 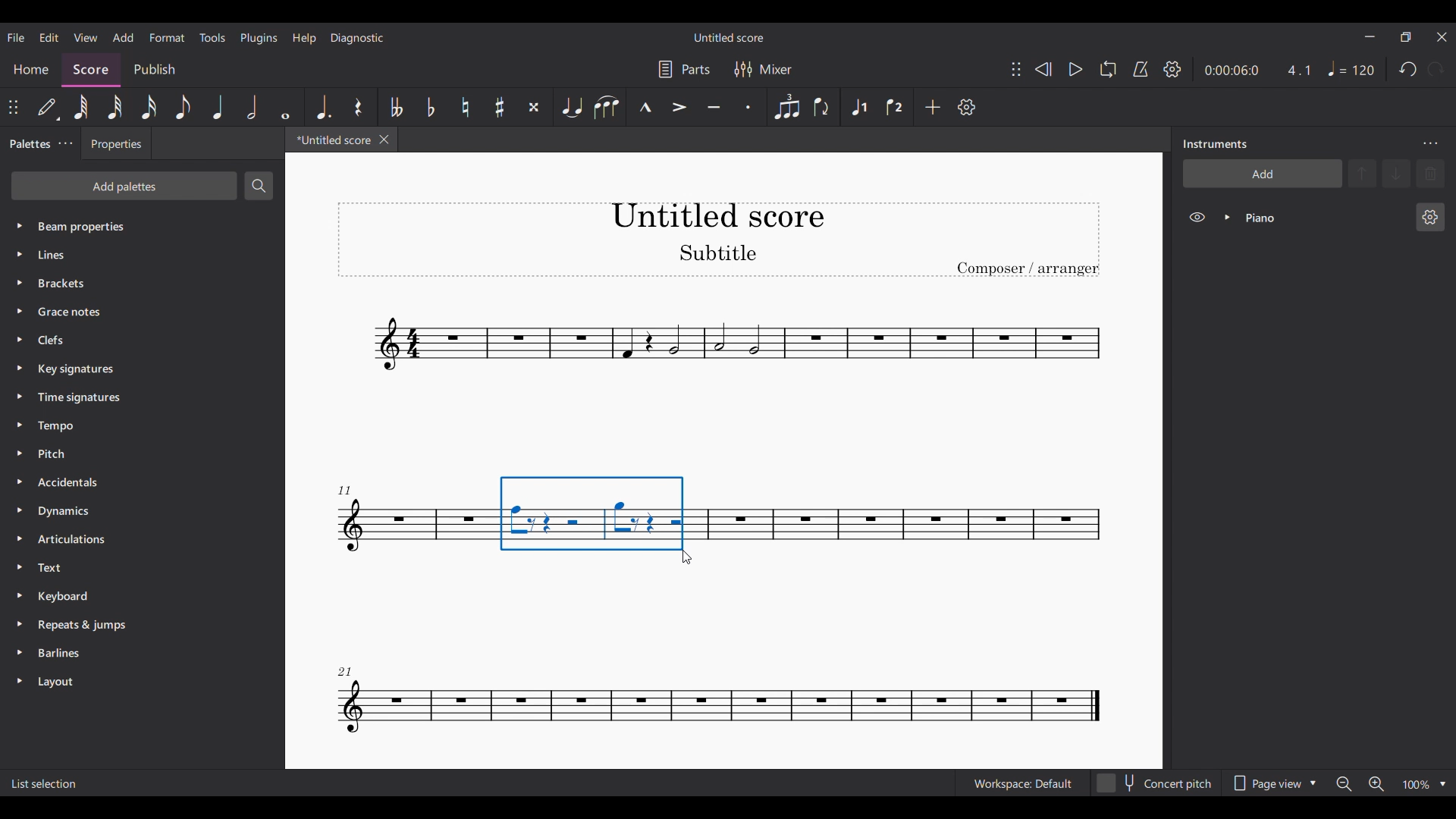 What do you see at coordinates (764, 69) in the screenshot?
I see `Mixer settings` at bounding box center [764, 69].